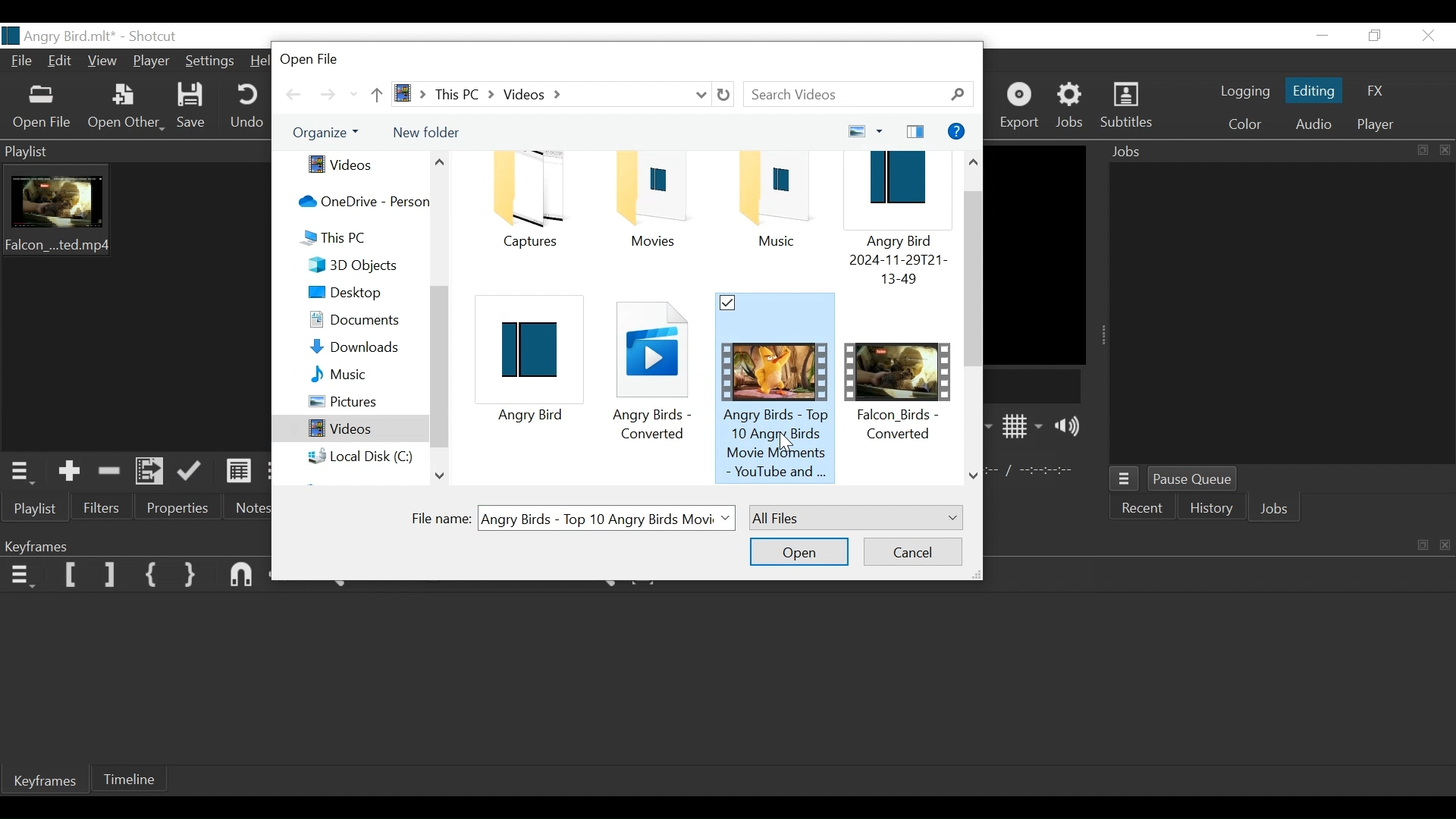 This screenshot has height=819, width=1456. Describe the element at coordinates (776, 408) in the screenshot. I see `Selected Video File` at that location.